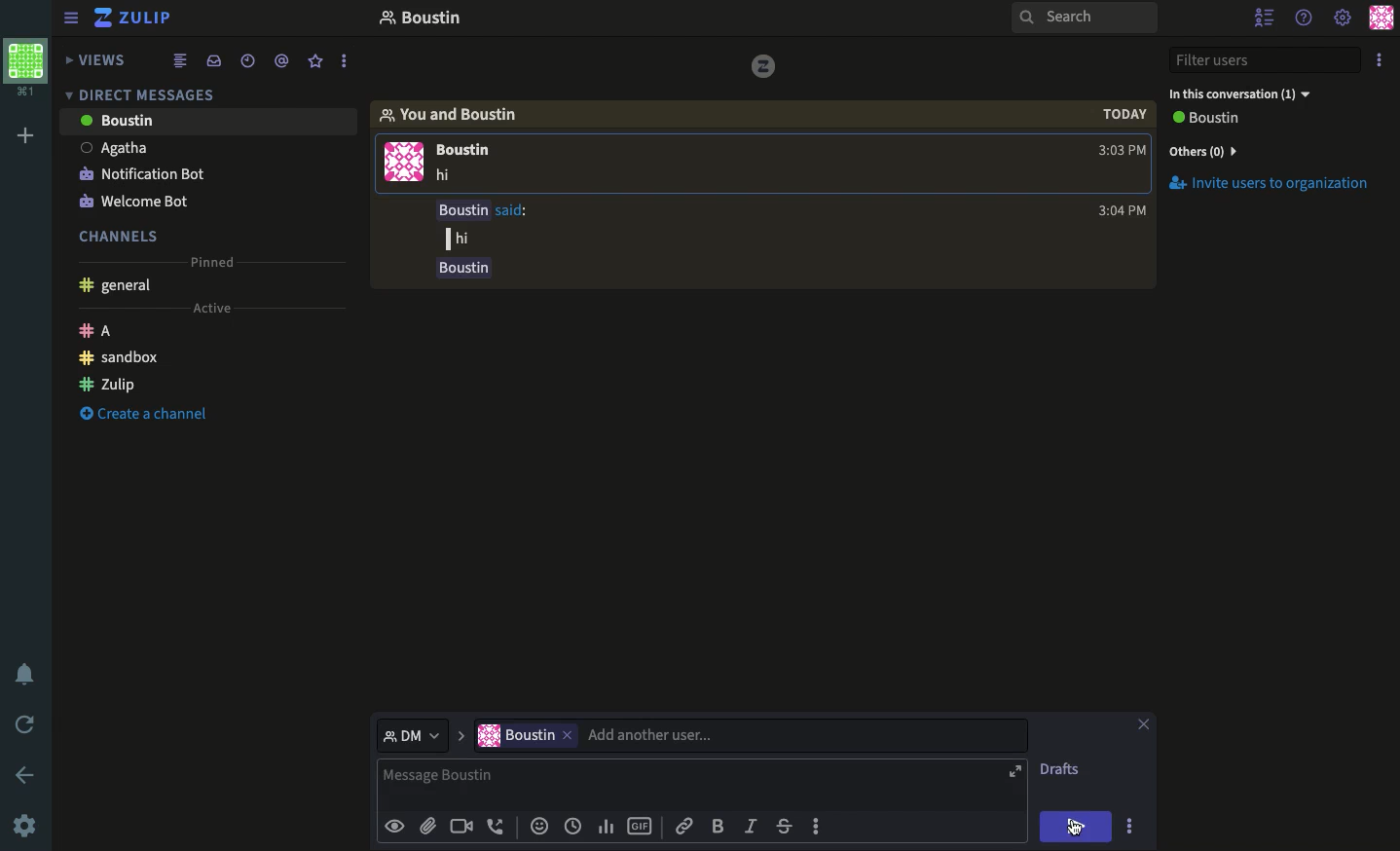 Image resolution: width=1400 pixels, height=851 pixels. I want to click on Thread name, so click(420, 20).